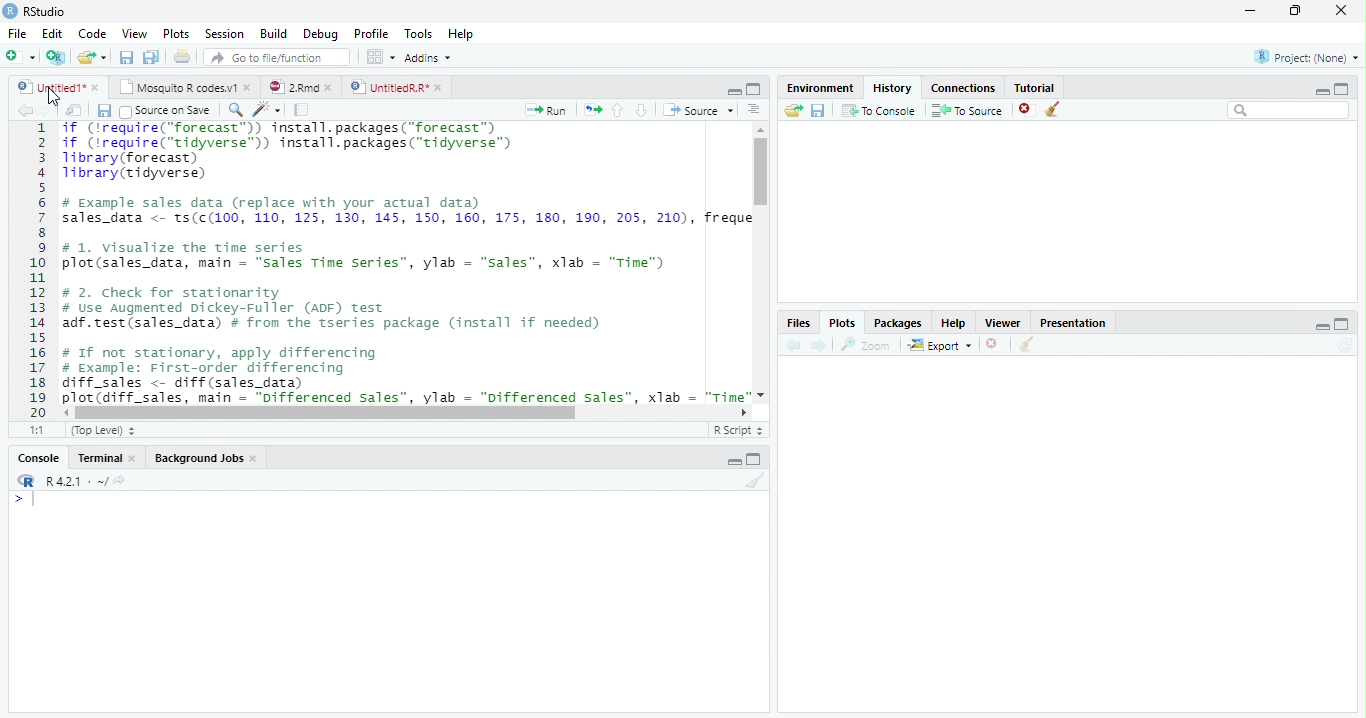 The width and height of the screenshot is (1366, 718). Describe the element at coordinates (699, 110) in the screenshot. I see `Source` at that location.